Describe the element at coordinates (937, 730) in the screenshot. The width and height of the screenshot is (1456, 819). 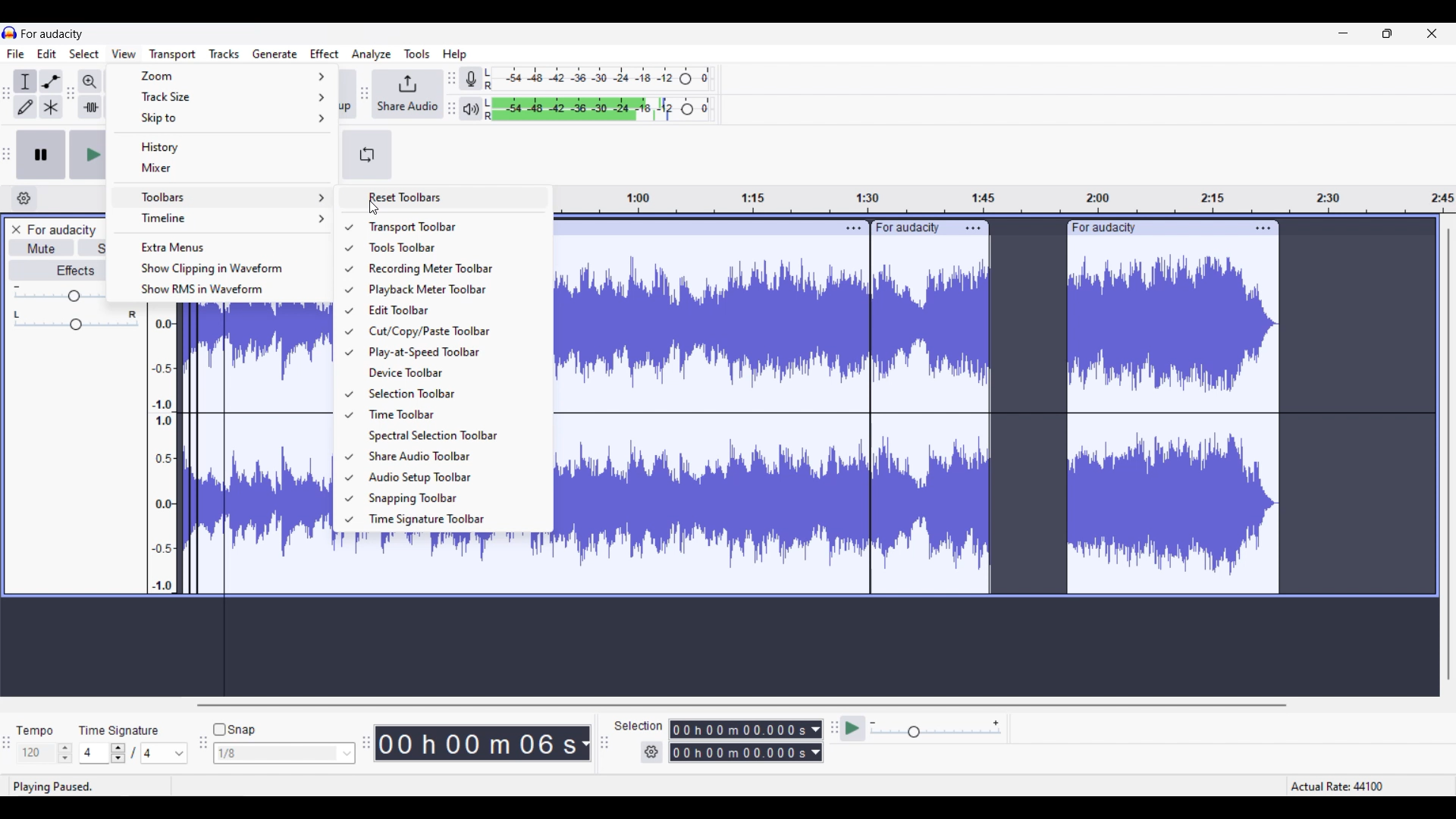
I see `Playback speed scale` at that location.